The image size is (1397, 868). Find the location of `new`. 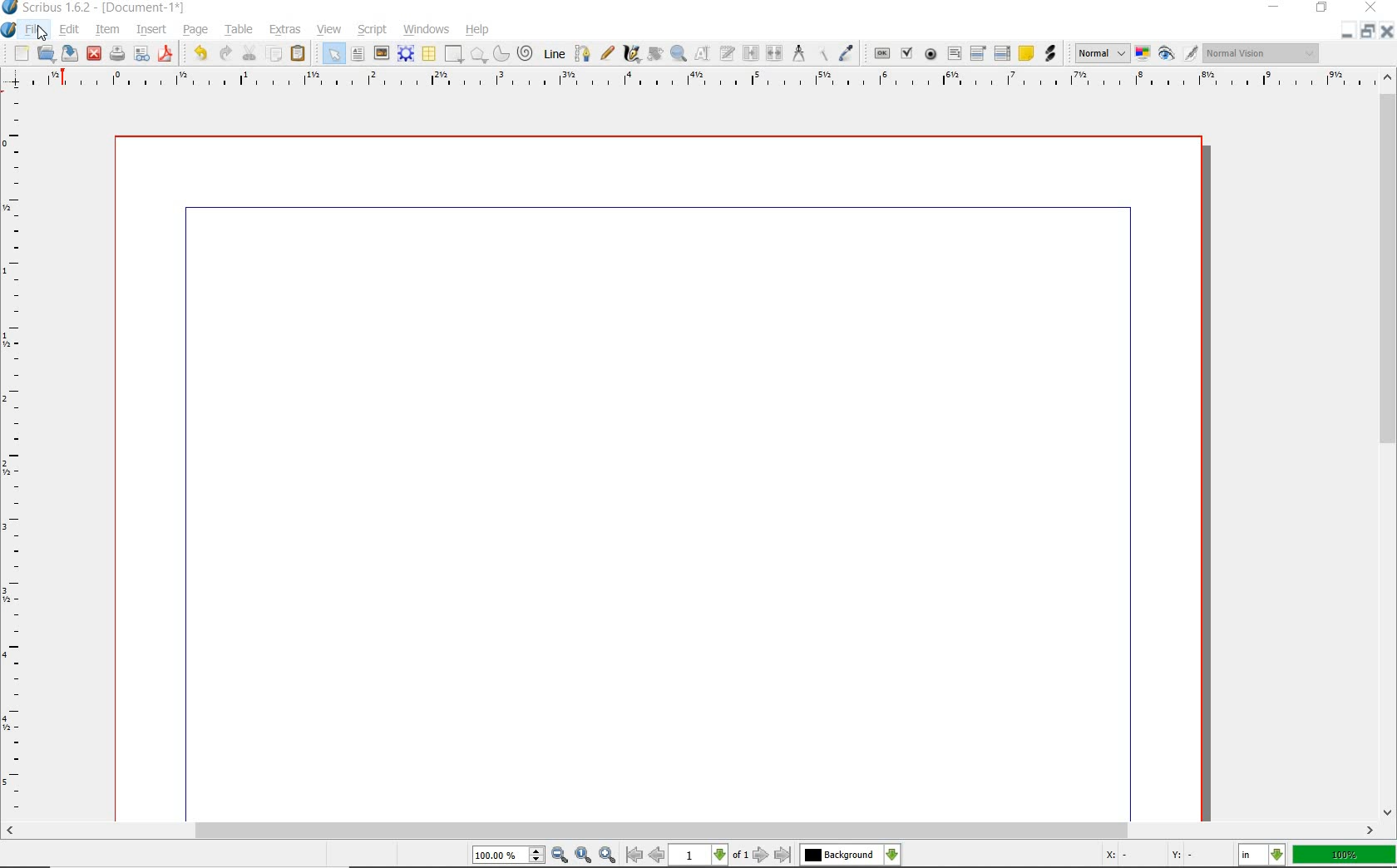

new is located at coordinates (21, 54).